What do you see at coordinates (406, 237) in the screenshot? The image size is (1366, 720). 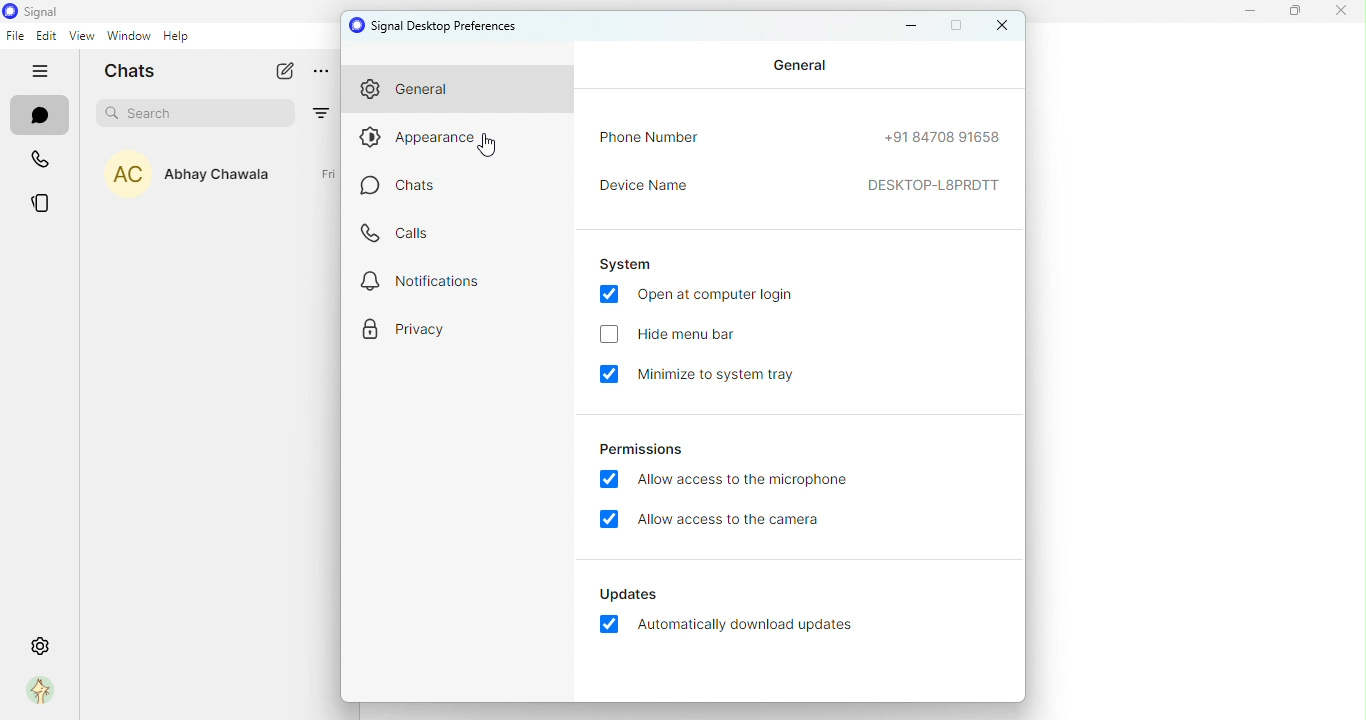 I see `calls` at bounding box center [406, 237].